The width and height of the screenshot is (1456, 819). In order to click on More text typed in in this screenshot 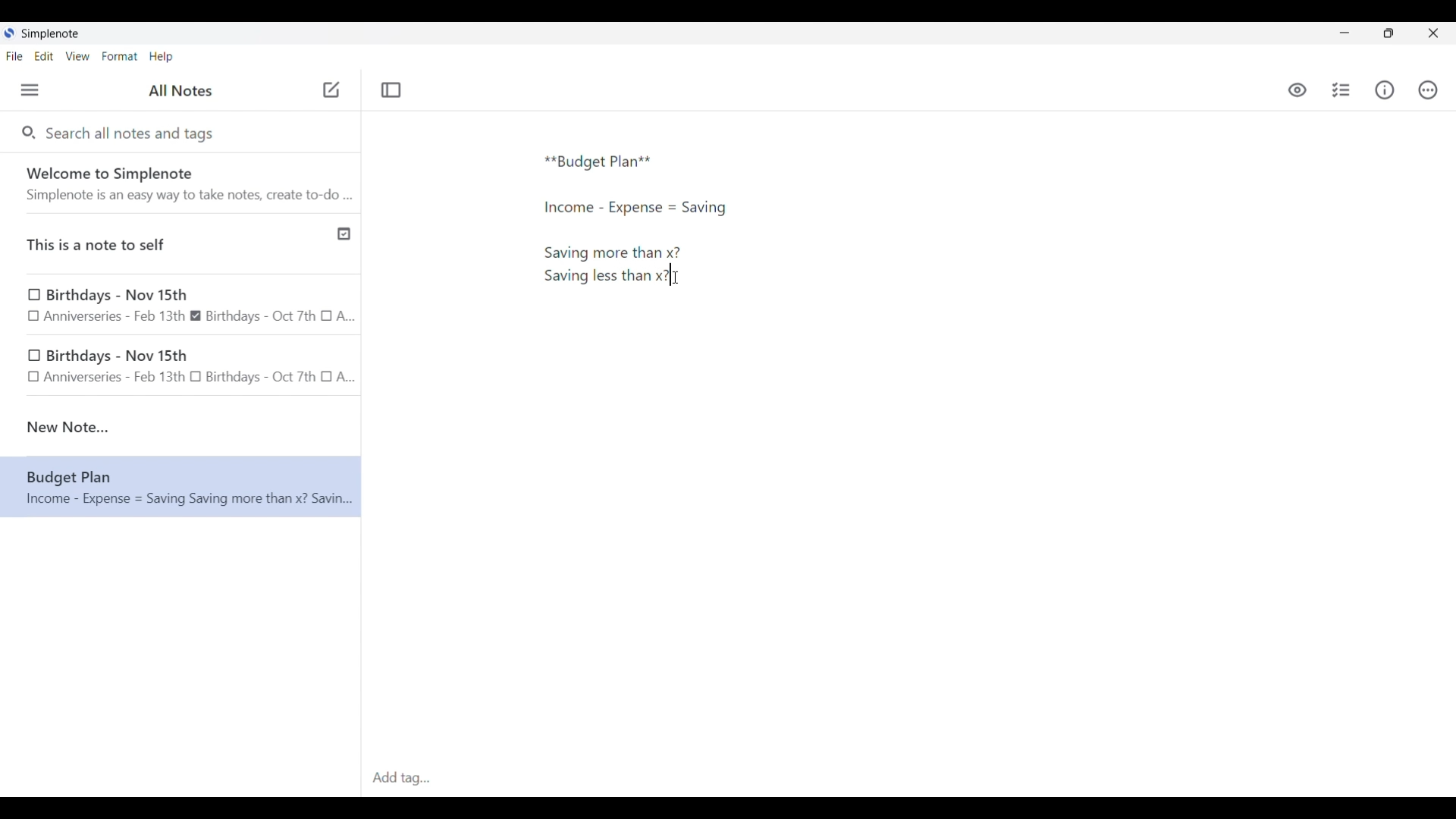, I will do `click(634, 208)`.